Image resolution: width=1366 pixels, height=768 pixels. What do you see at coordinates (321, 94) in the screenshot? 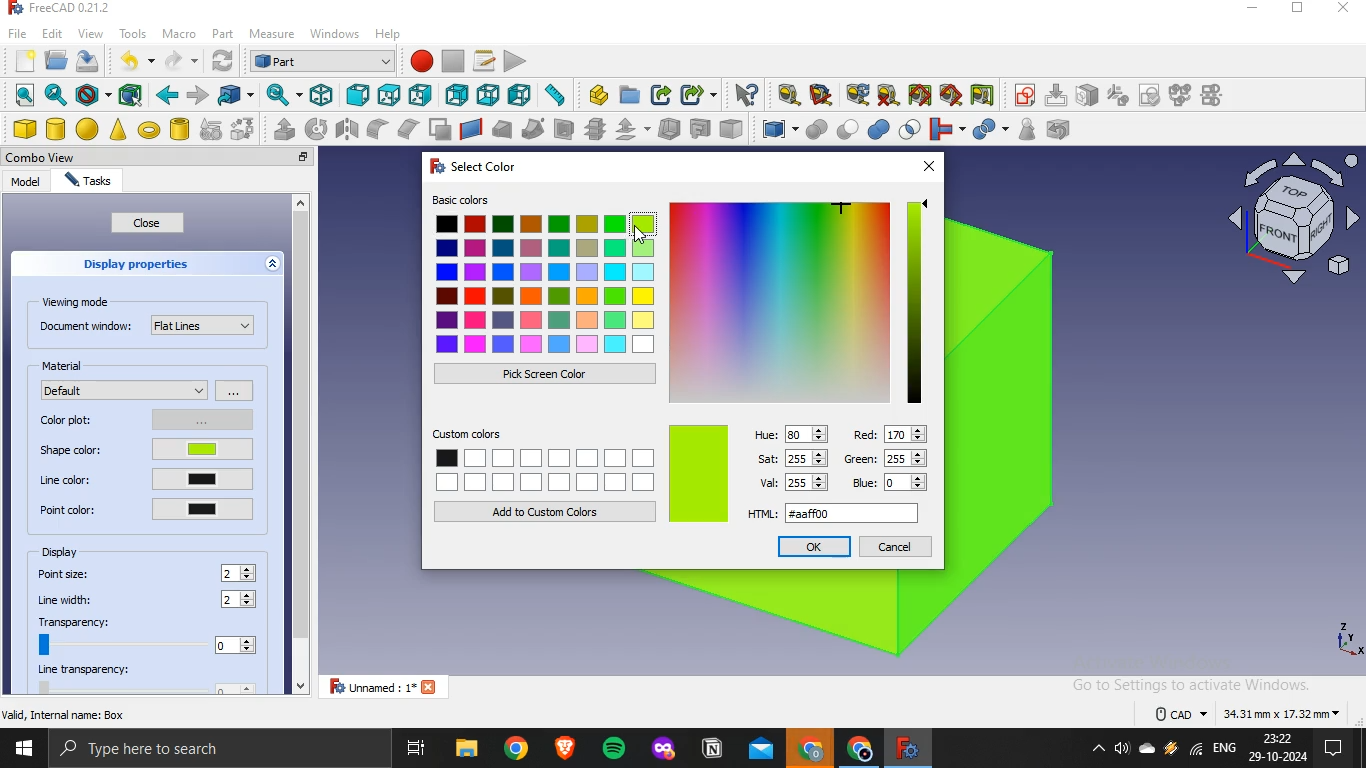
I see `isometric` at bounding box center [321, 94].